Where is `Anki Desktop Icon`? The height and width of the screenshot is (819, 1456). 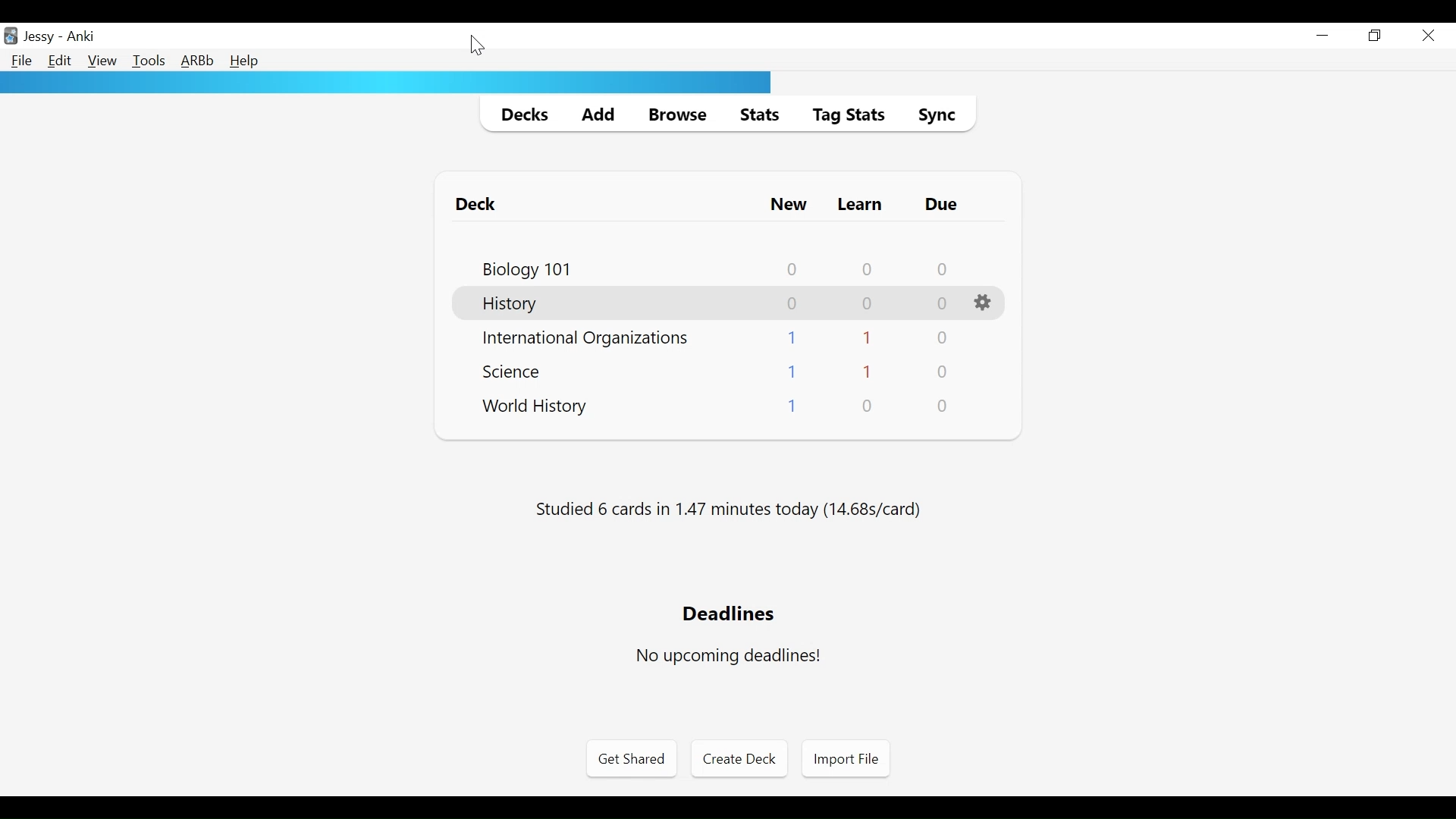 Anki Desktop Icon is located at coordinates (12, 35).